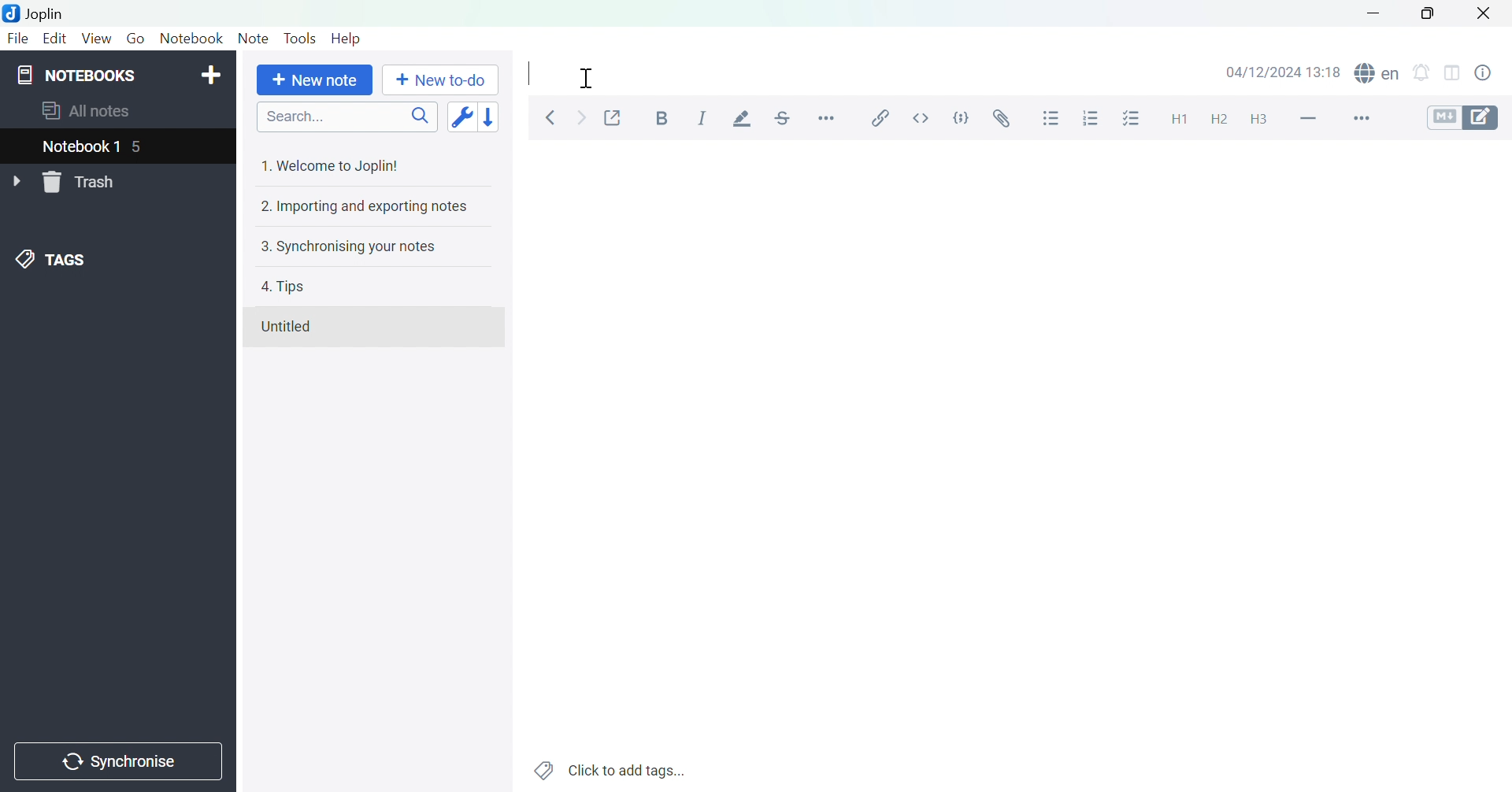 Image resolution: width=1512 pixels, height=792 pixels. I want to click on Trash, so click(82, 183).